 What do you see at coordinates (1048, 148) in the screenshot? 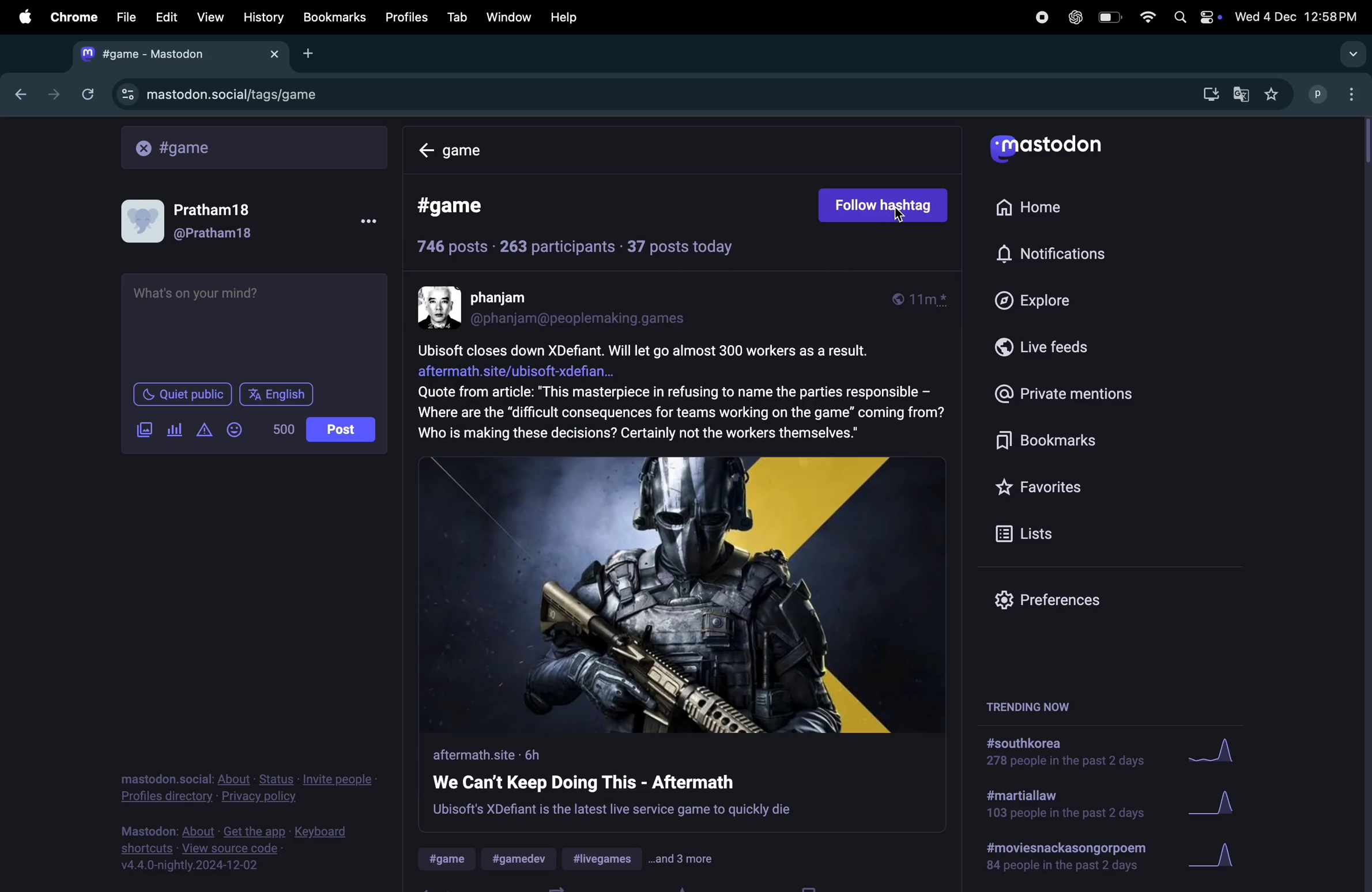
I see `mastodon` at bounding box center [1048, 148].